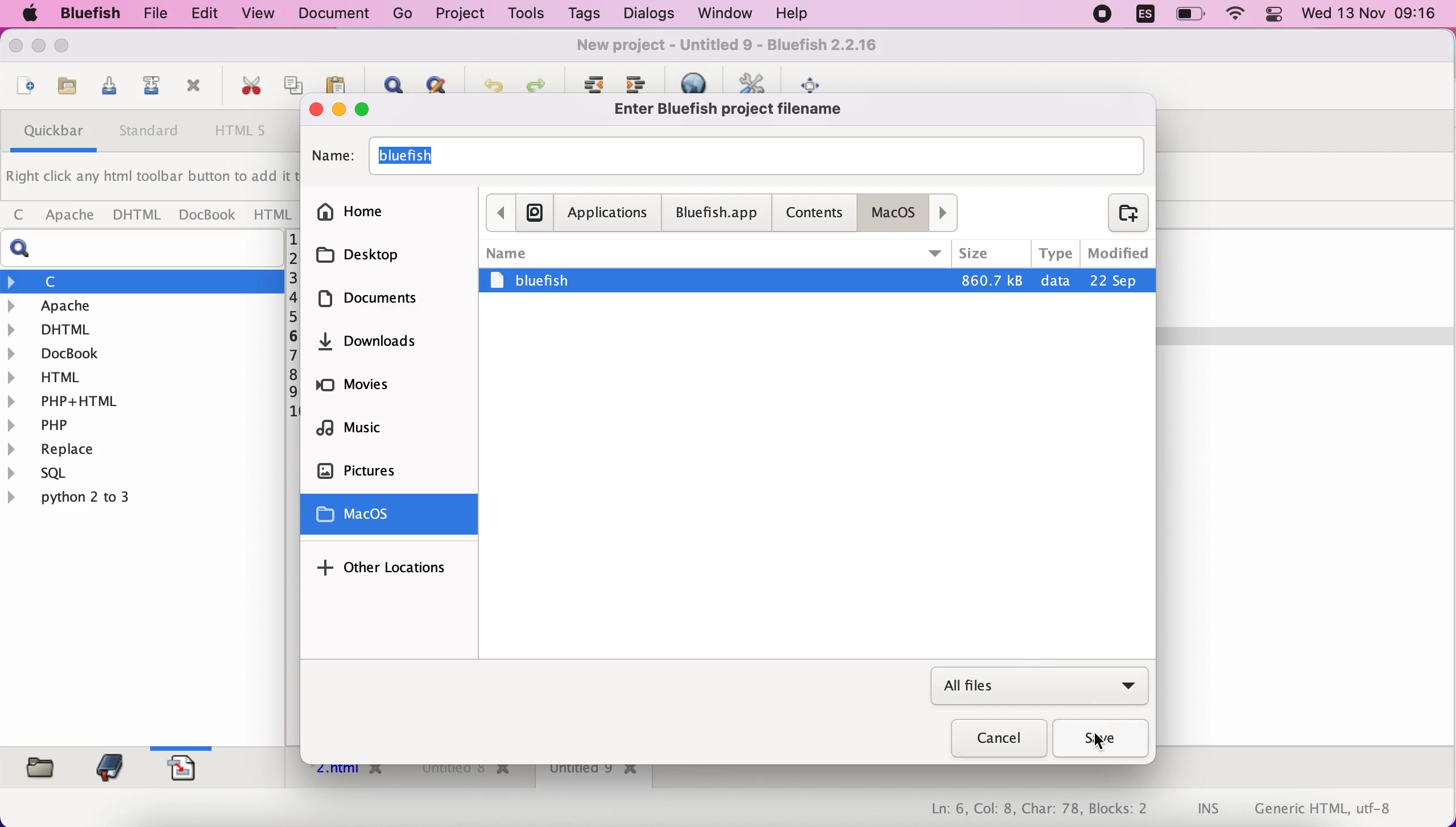 This screenshot has width=1456, height=827. What do you see at coordinates (756, 154) in the screenshot?
I see `name` at bounding box center [756, 154].